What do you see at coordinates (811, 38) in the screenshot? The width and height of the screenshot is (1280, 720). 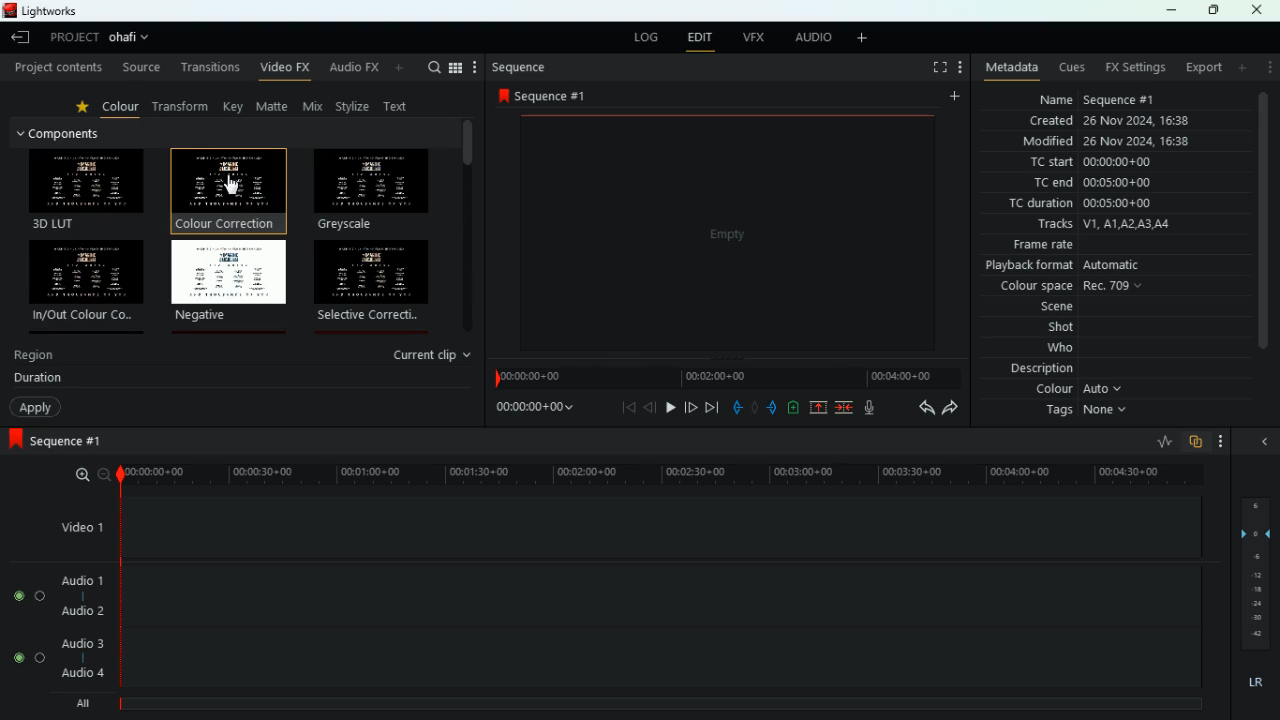 I see `audio` at bounding box center [811, 38].